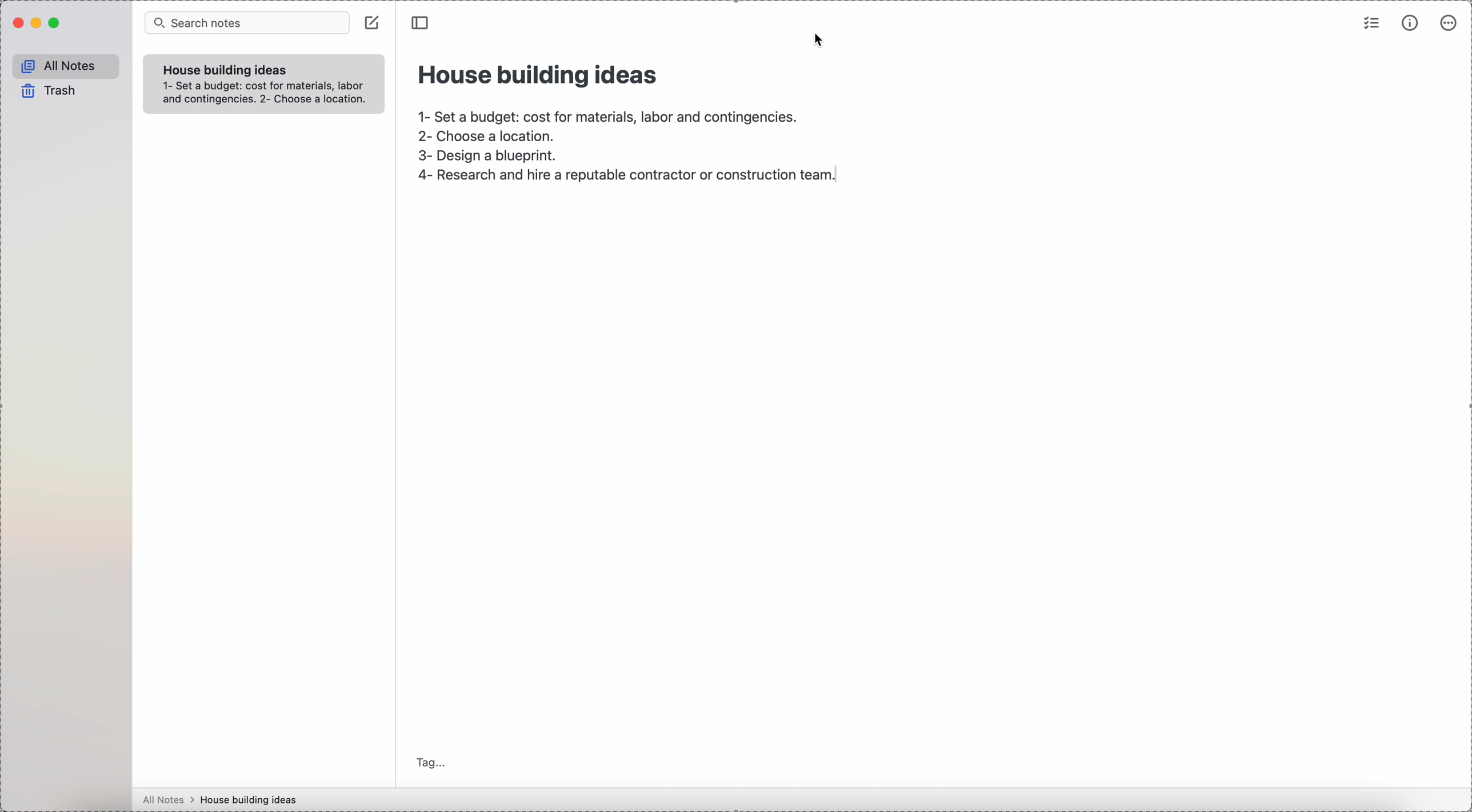 This screenshot has height=812, width=1472. Describe the element at coordinates (490, 157) in the screenshot. I see `design a blueprint` at that location.